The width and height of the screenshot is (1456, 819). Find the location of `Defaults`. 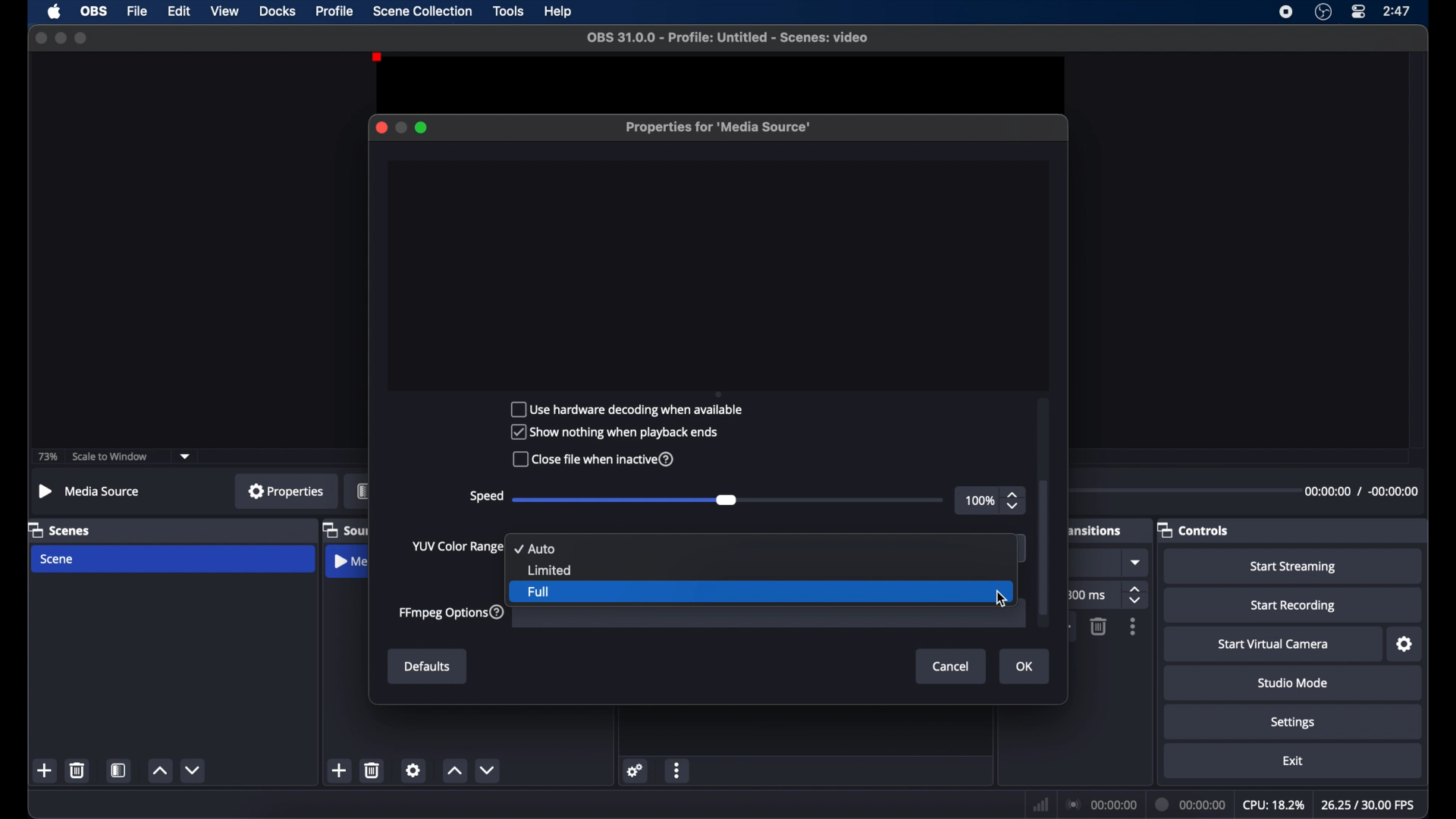

Defaults is located at coordinates (428, 667).